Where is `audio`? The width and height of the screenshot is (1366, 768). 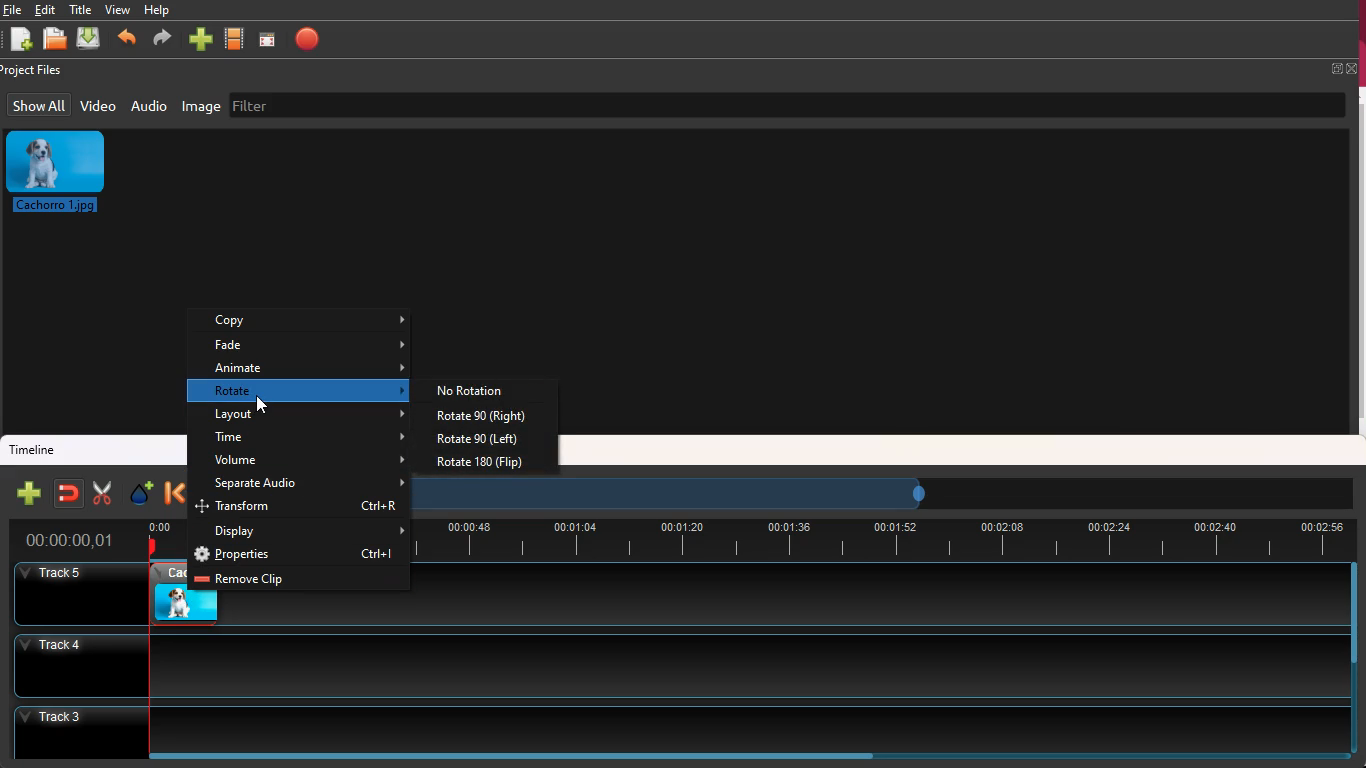
audio is located at coordinates (151, 106).